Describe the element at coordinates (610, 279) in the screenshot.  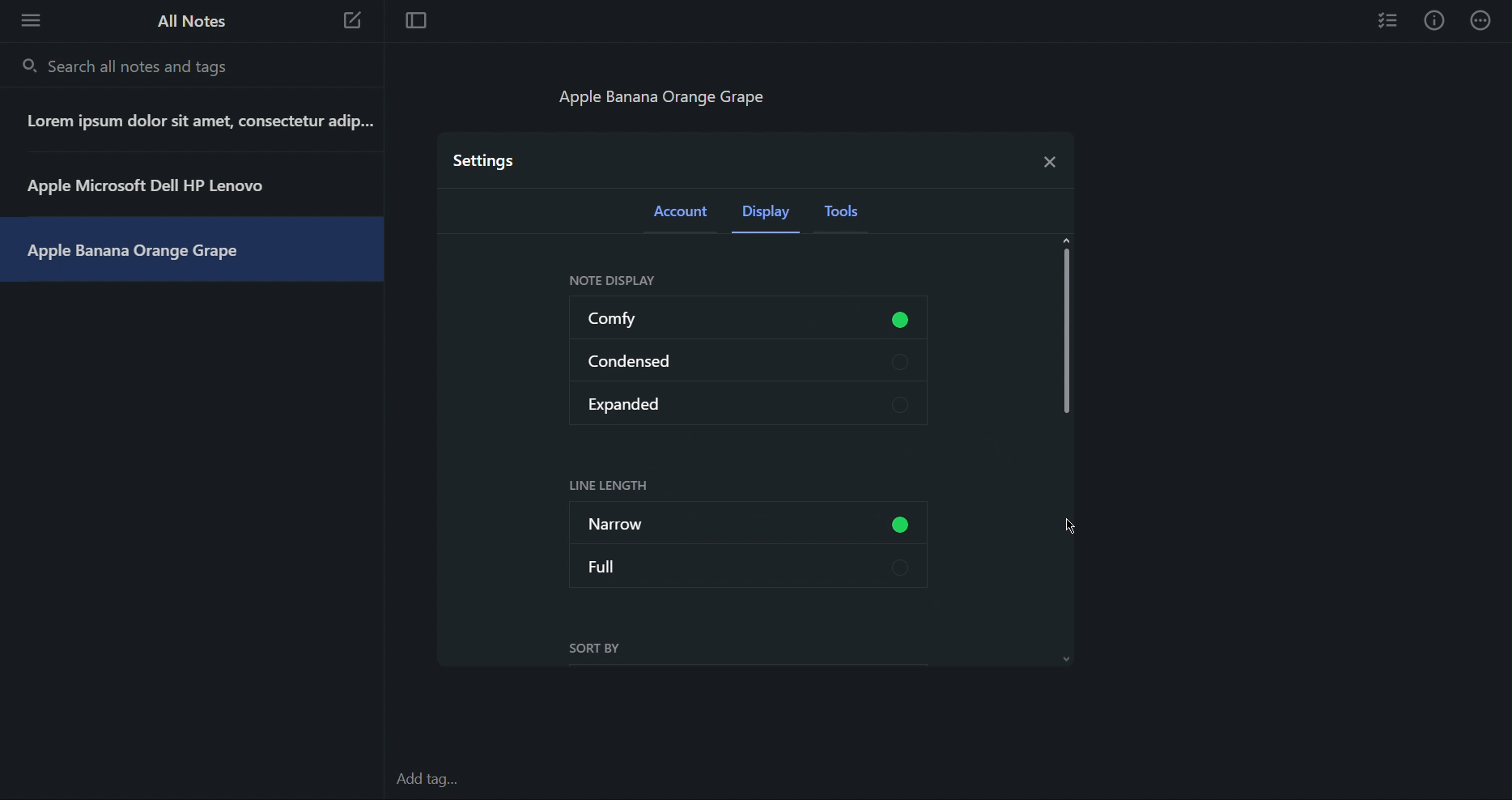
I see `Note Display` at that location.